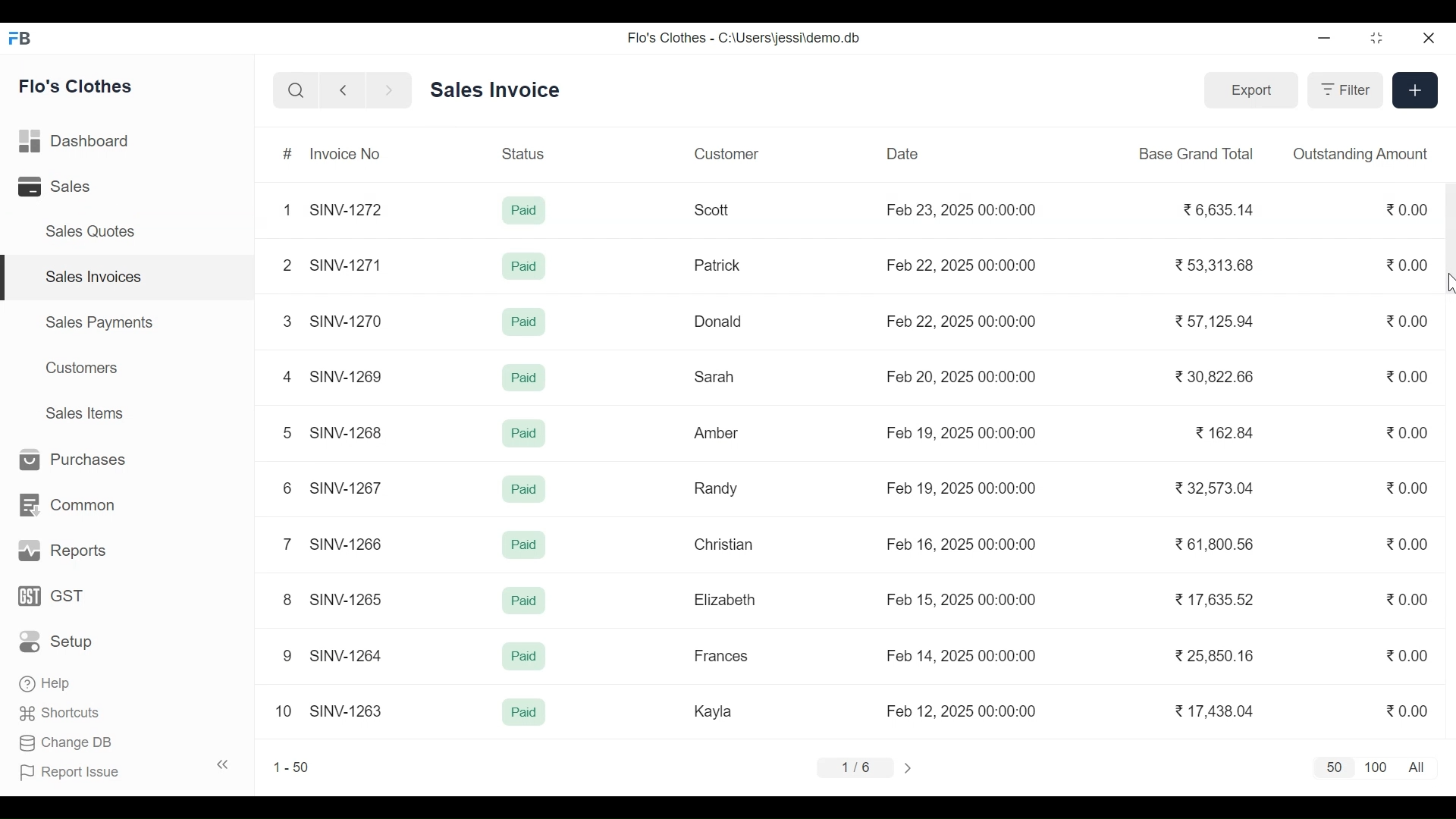 Image resolution: width=1456 pixels, height=819 pixels. What do you see at coordinates (76, 143) in the screenshot?
I see `Dashboard` at bounding box center [76, 143].